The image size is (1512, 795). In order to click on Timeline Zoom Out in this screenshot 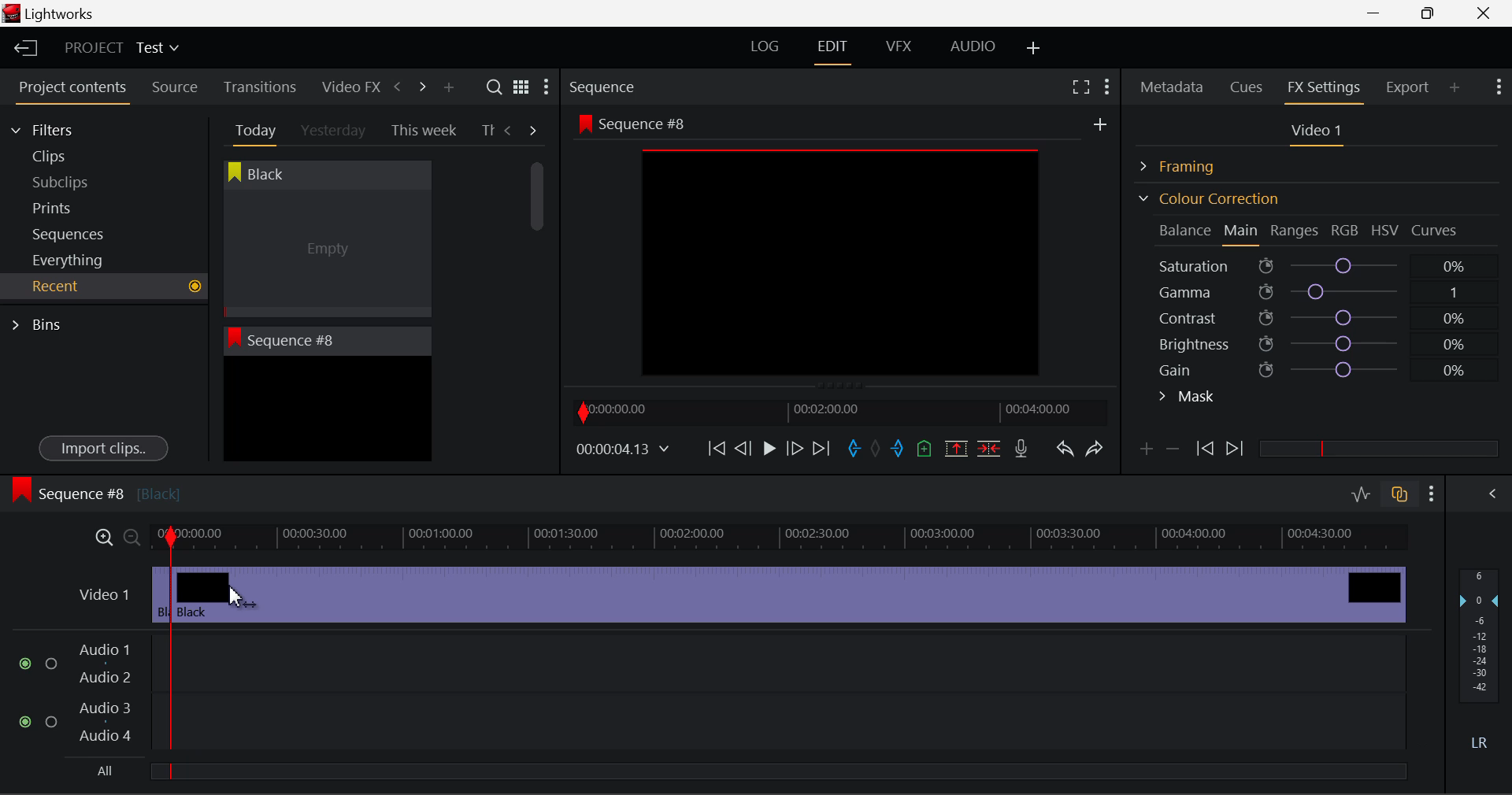, I will do `click(131, 537)`.